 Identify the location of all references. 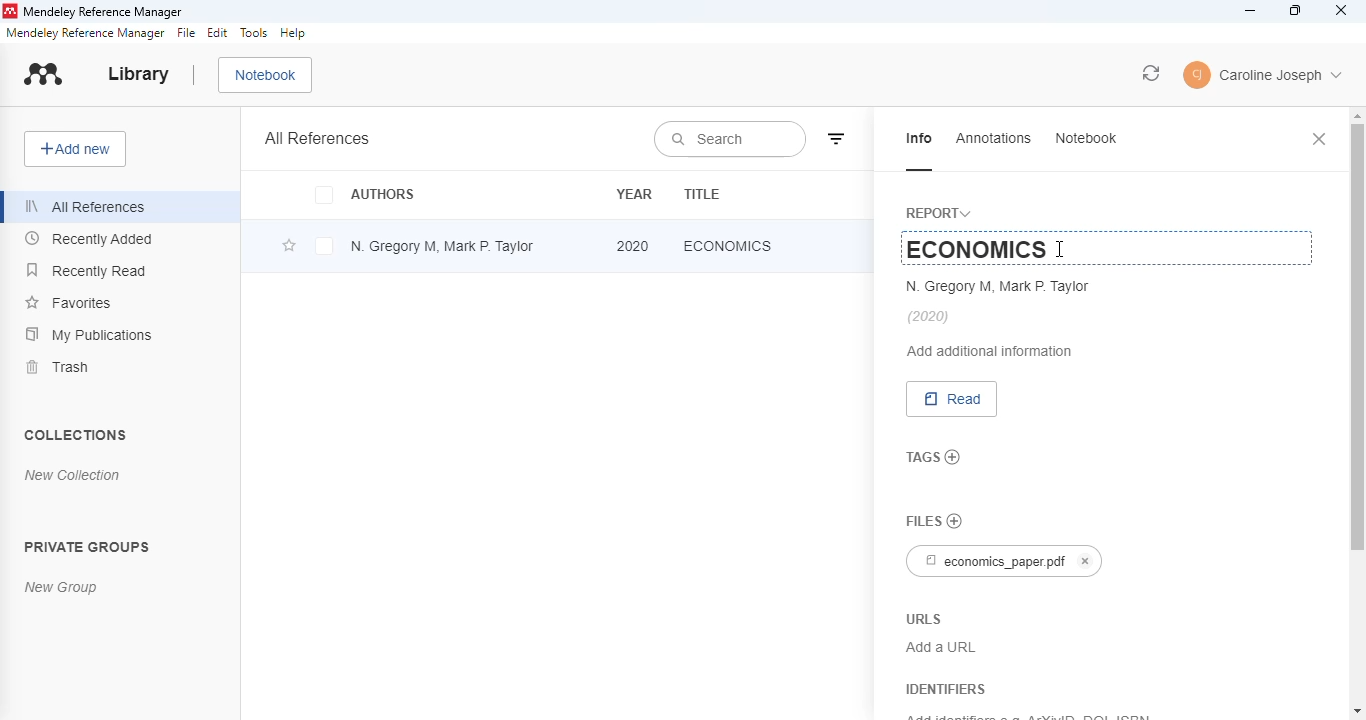
(86, 207).